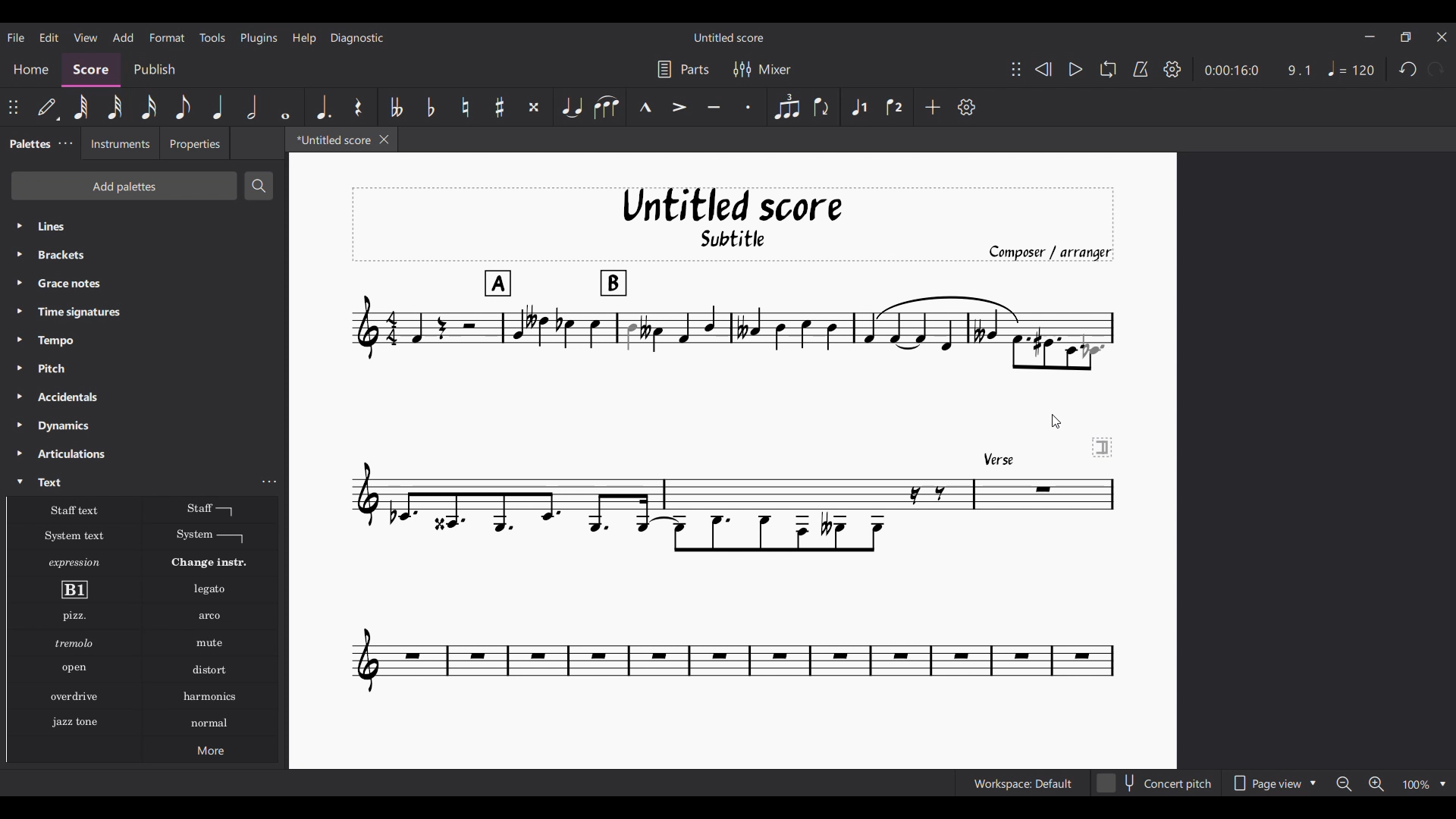  Describe the element at coordinates (895, 107) in the screenshot. I see `Voice 2` at that location.